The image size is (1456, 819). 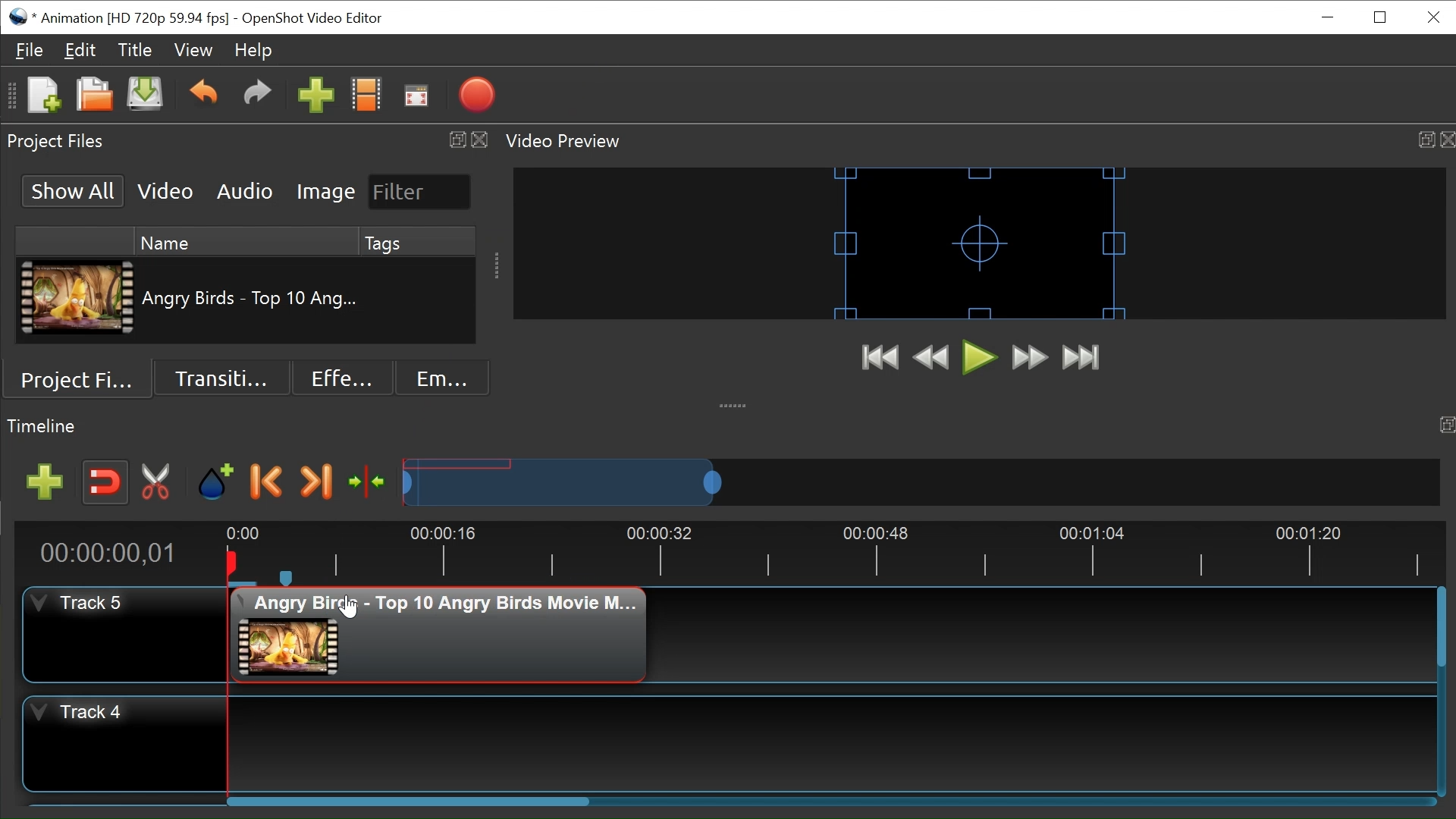 What do you see at coordinates (417, 242) in the screenshot?
I see `Tags` at bounding box center [417, 242].